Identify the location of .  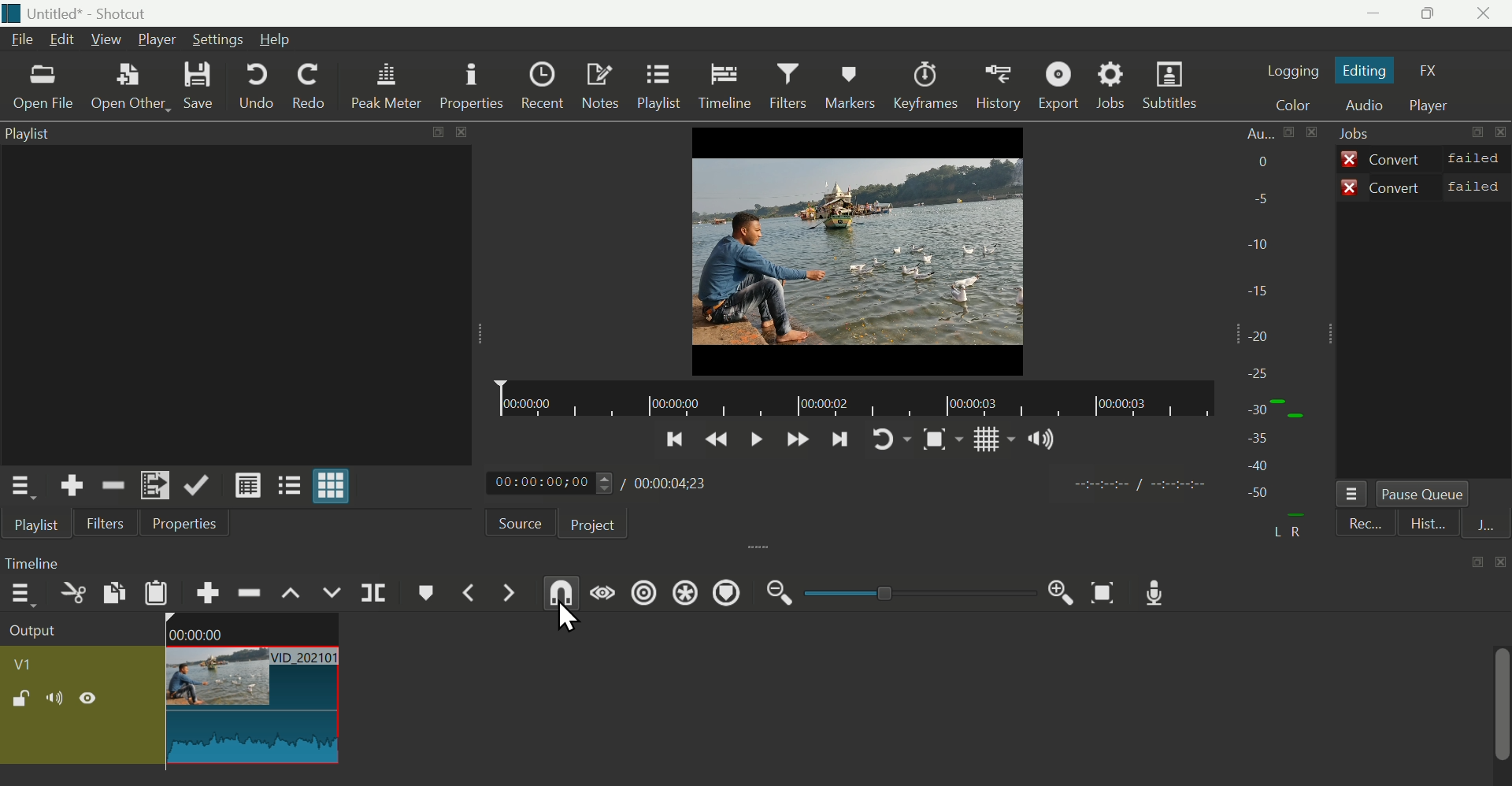
(1411, 495).